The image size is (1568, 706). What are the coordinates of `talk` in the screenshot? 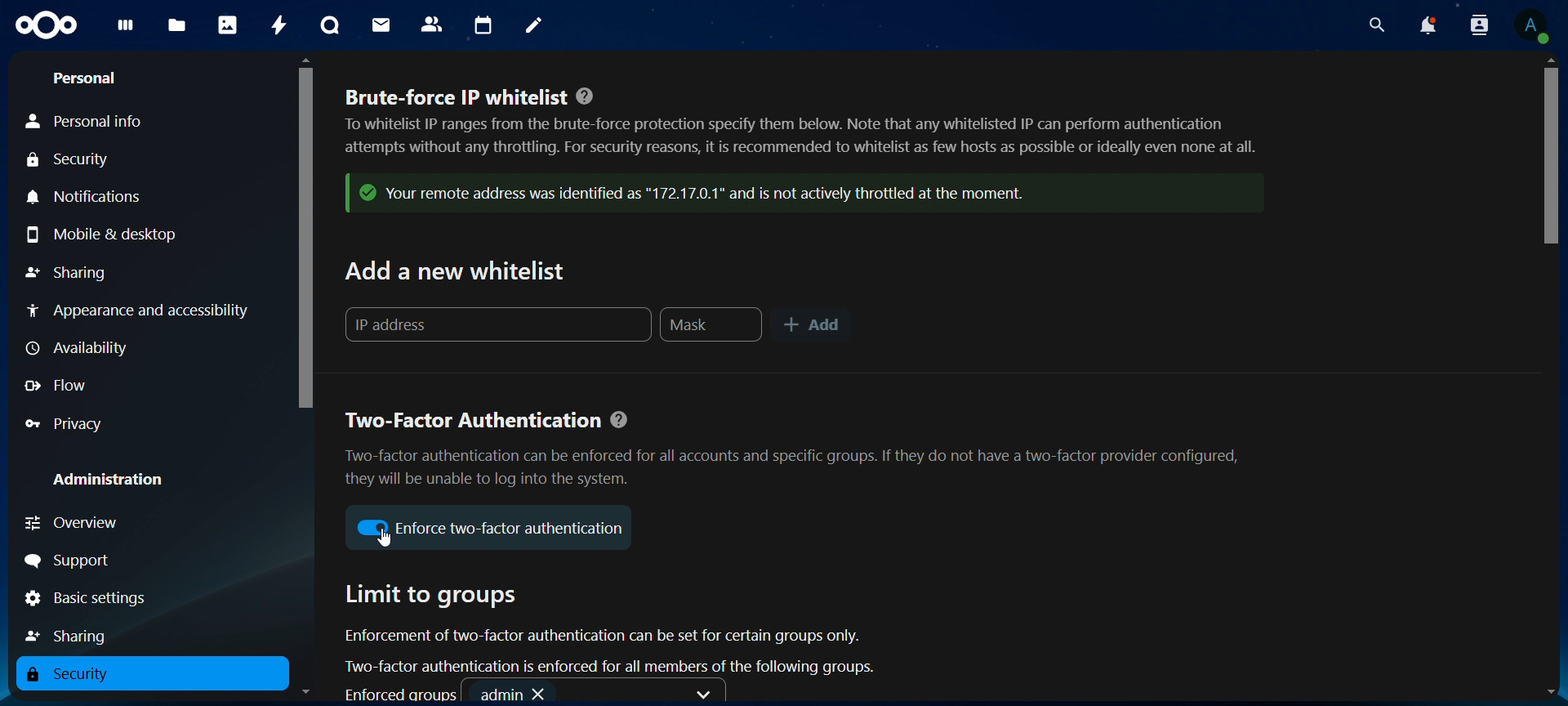 It's located at (330, 24).